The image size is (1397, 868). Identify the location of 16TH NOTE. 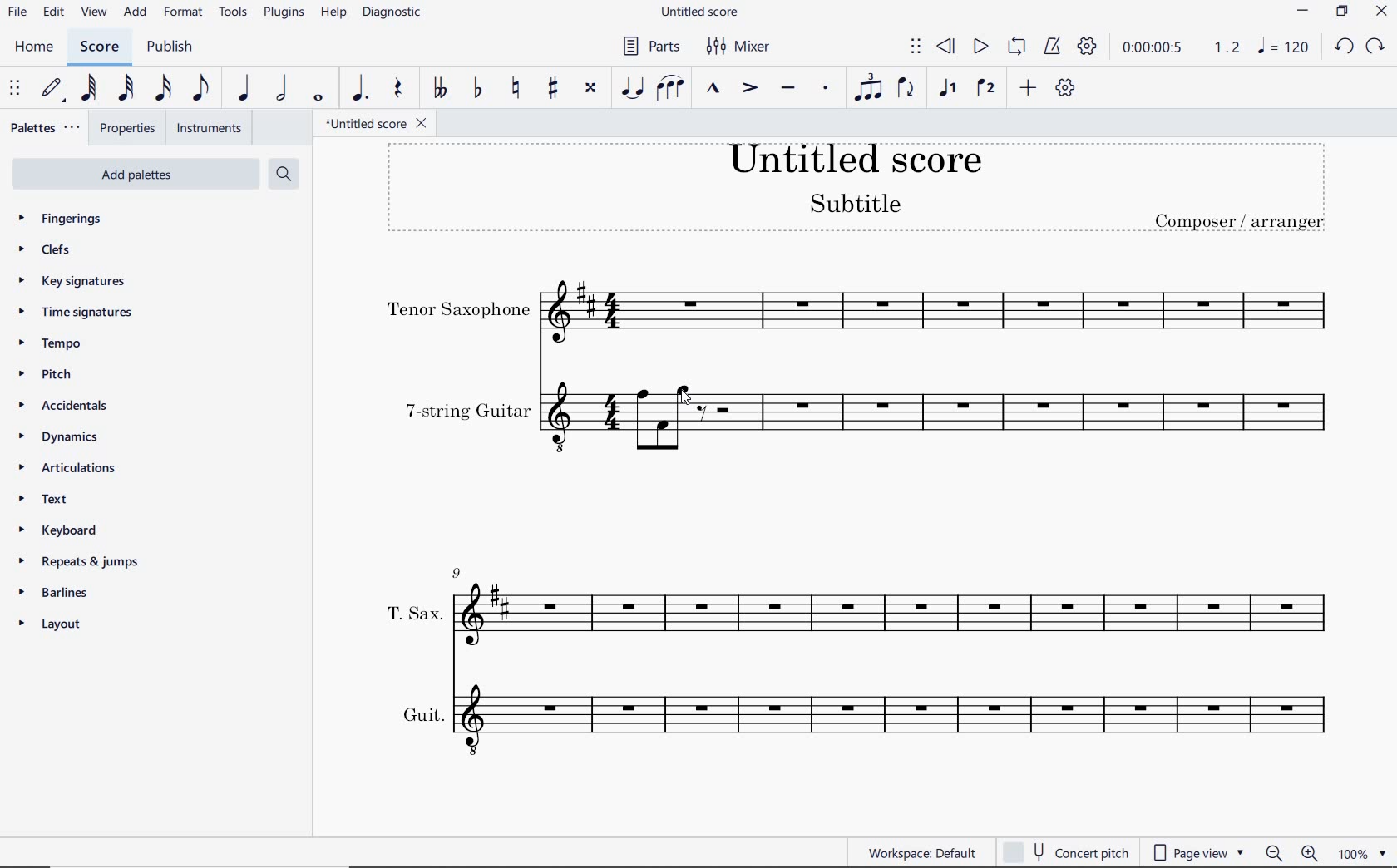
(163, 88).